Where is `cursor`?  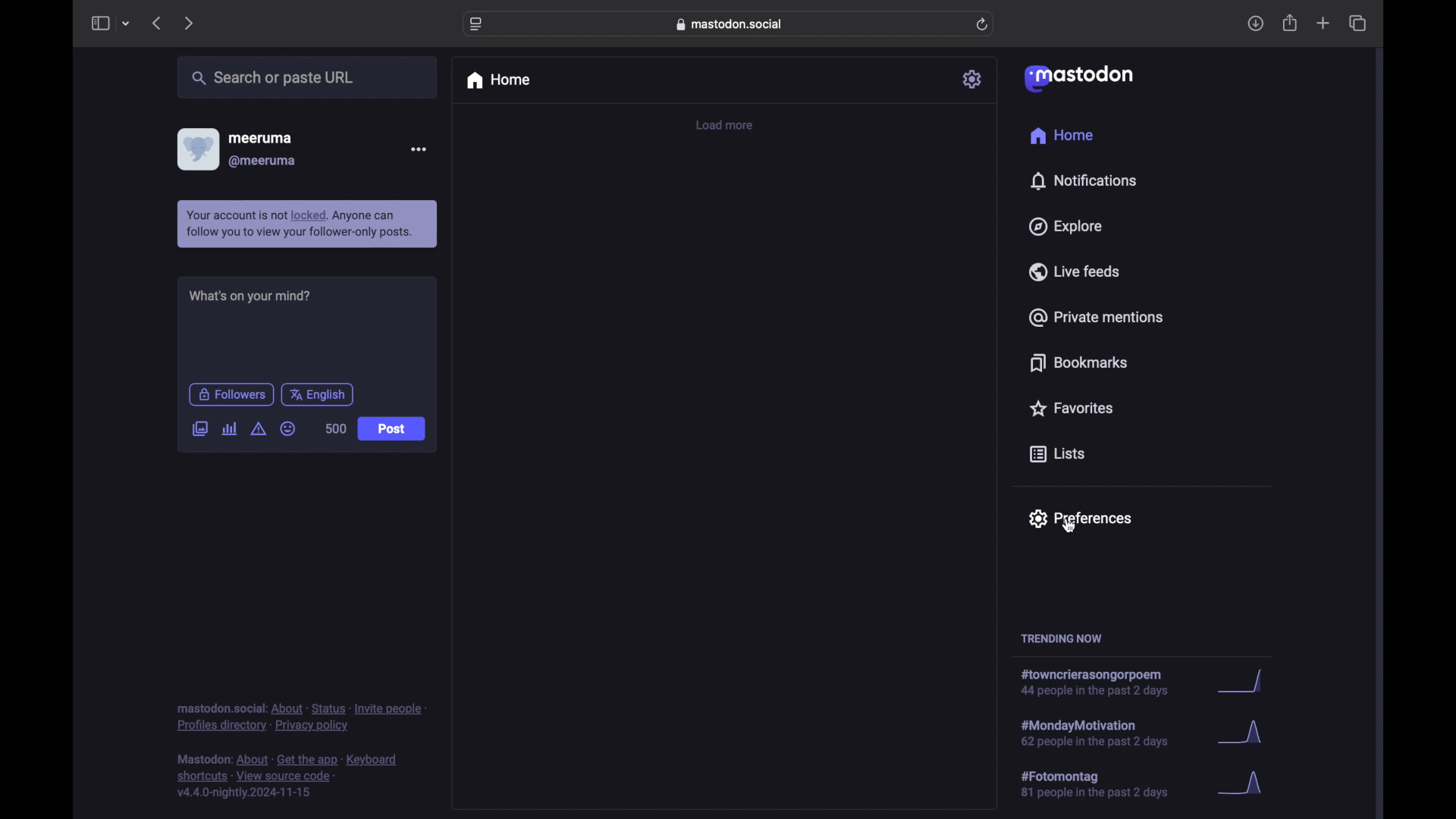 cursor is located at coordinates (1072, 529).